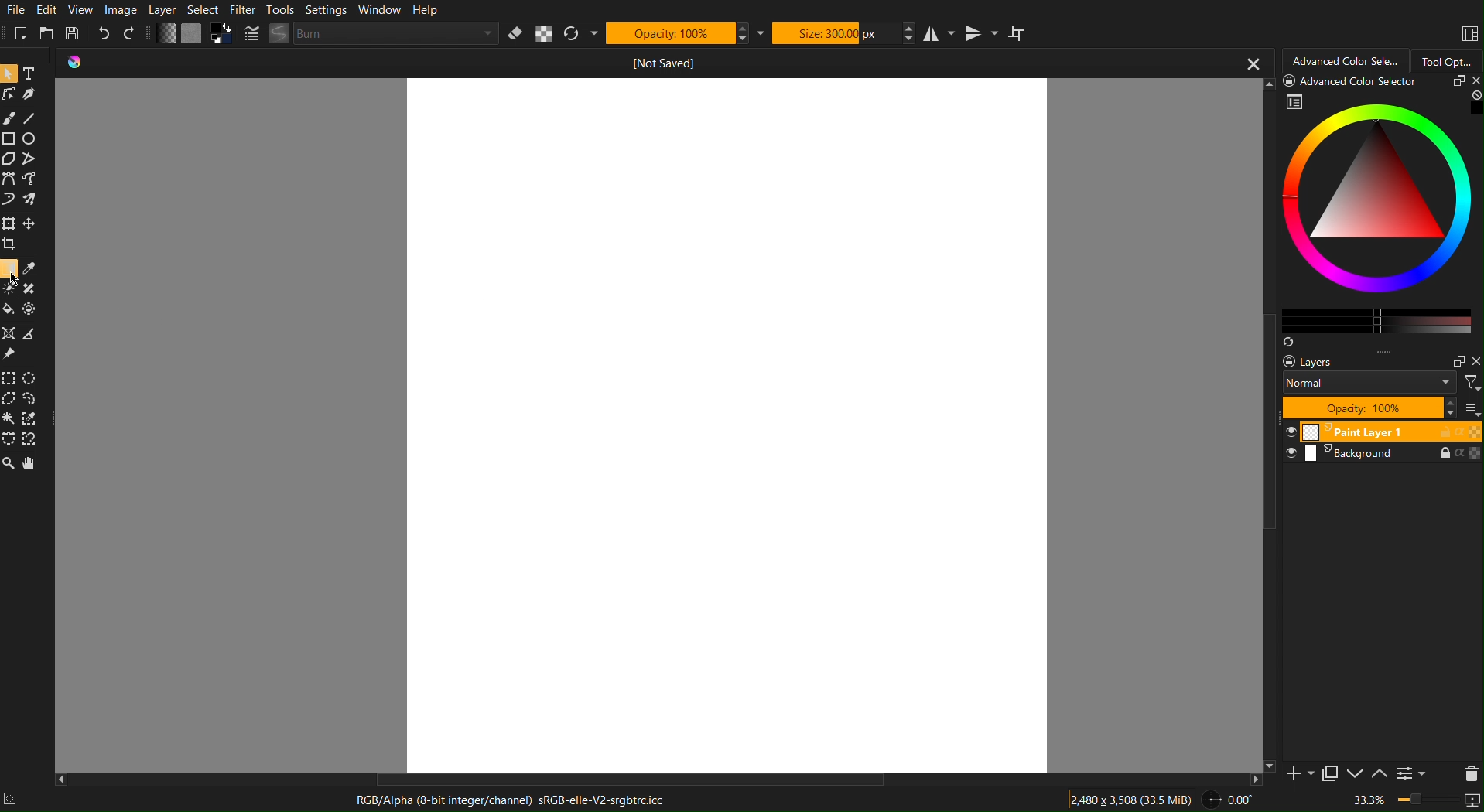 This screenshot has width=1484, height=812. What do you see at coordinates (1467, 772) in the screenshot?
I see `Delete` at bounding box center [1467, 772].